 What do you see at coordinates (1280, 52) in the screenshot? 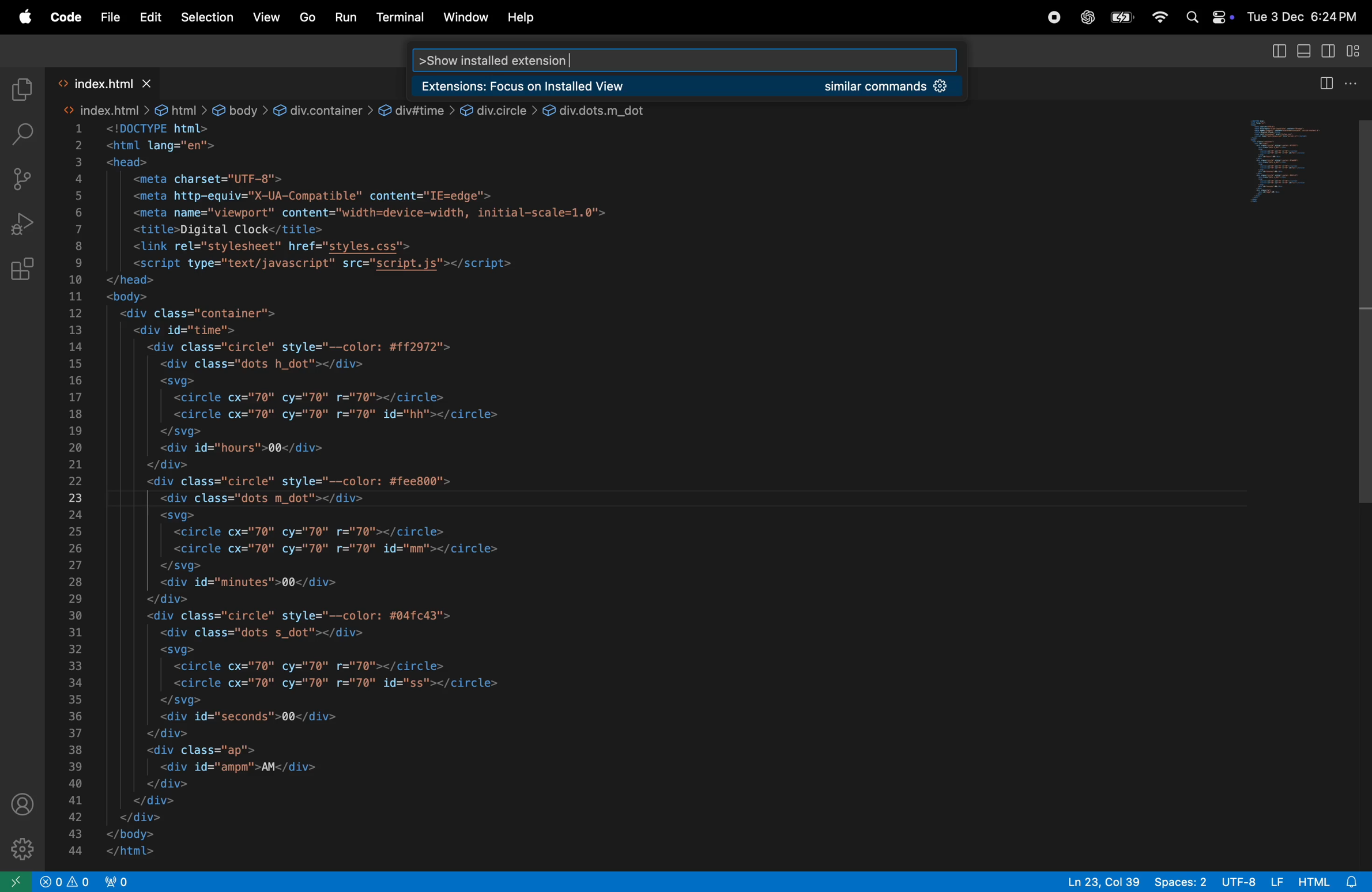
I see `toggle side bar` at bounding box center [1280, 52].